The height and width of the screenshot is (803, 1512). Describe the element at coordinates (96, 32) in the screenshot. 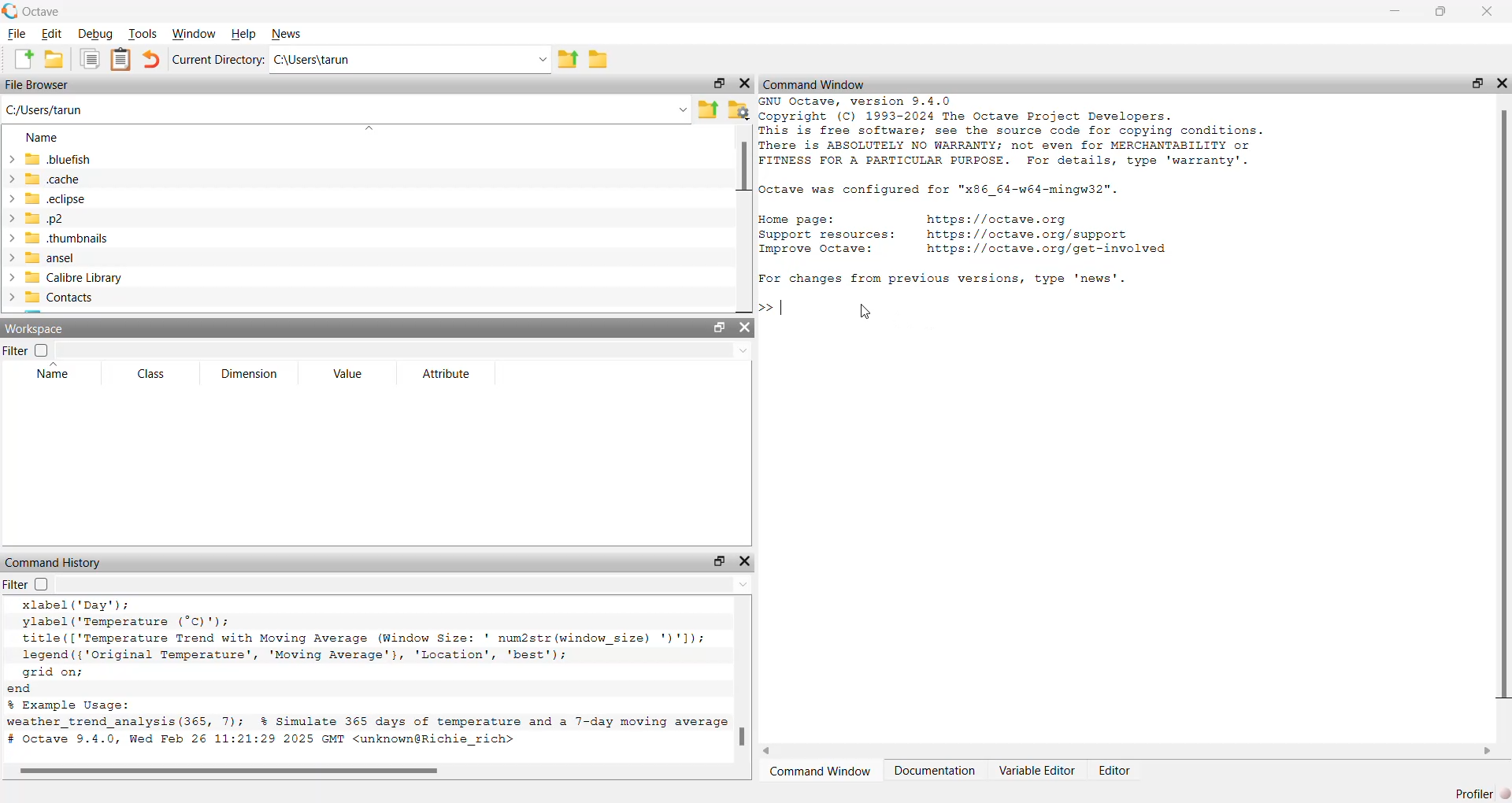

I see `Debug` at that location.